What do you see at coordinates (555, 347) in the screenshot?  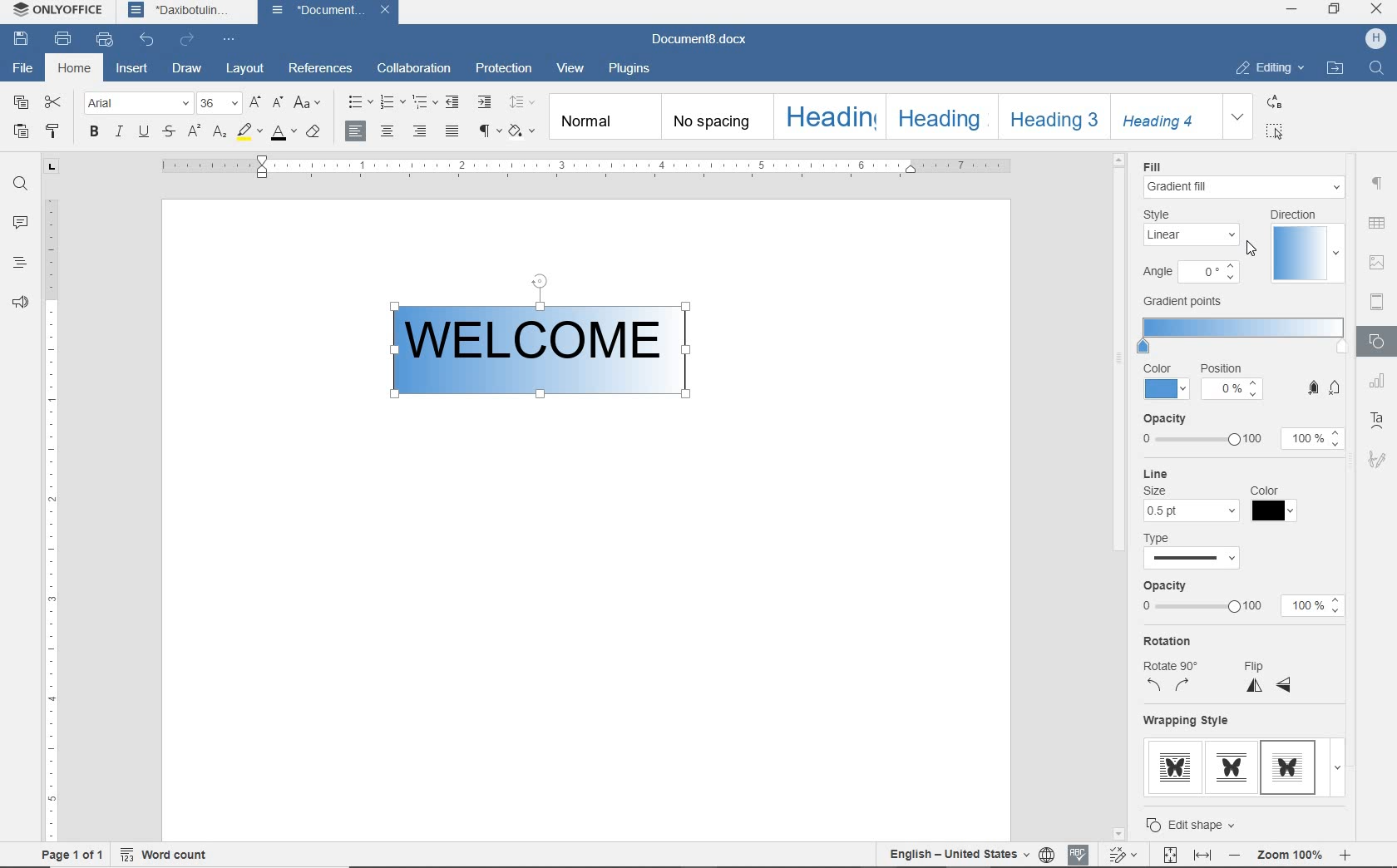 I see `gradient added` at bounding box center [555, 347].